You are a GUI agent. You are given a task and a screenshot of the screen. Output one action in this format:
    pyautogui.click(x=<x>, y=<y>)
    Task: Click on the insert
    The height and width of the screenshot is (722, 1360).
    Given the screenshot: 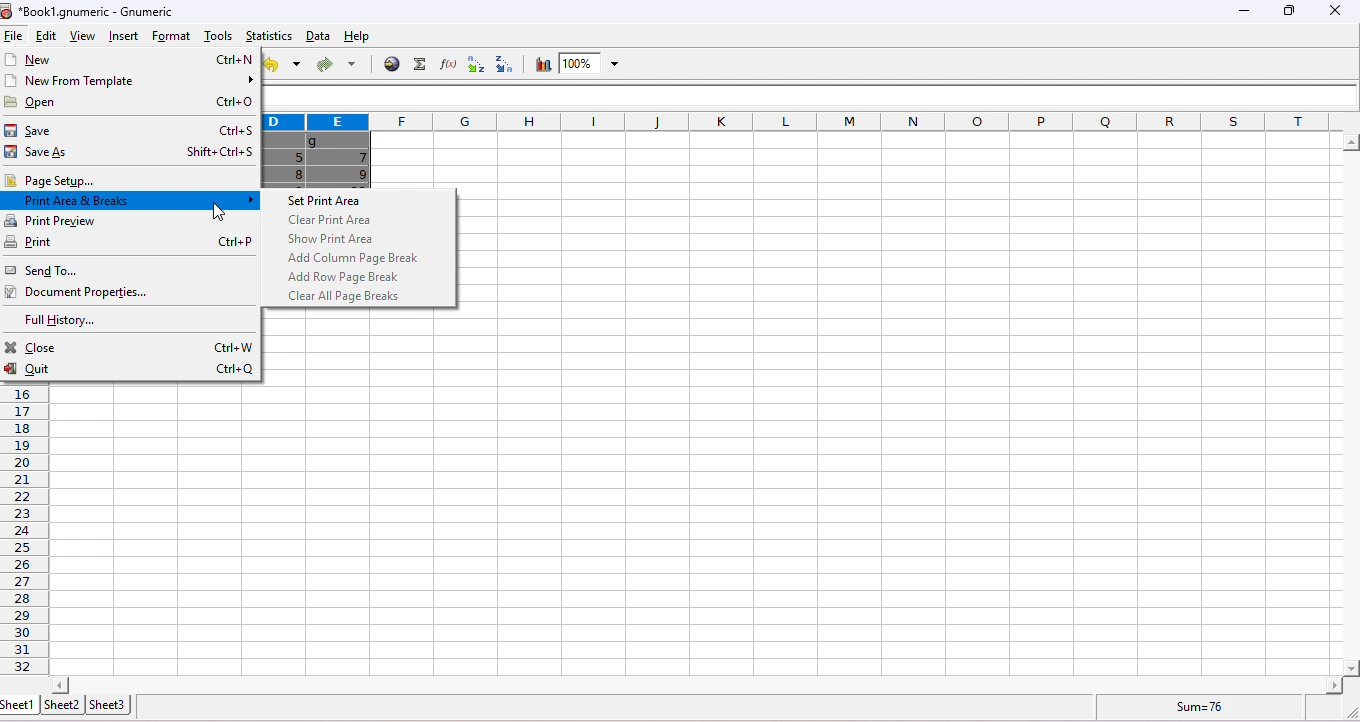 What is the action you would take?
    pyautogui.click(x=121, y=36)
    